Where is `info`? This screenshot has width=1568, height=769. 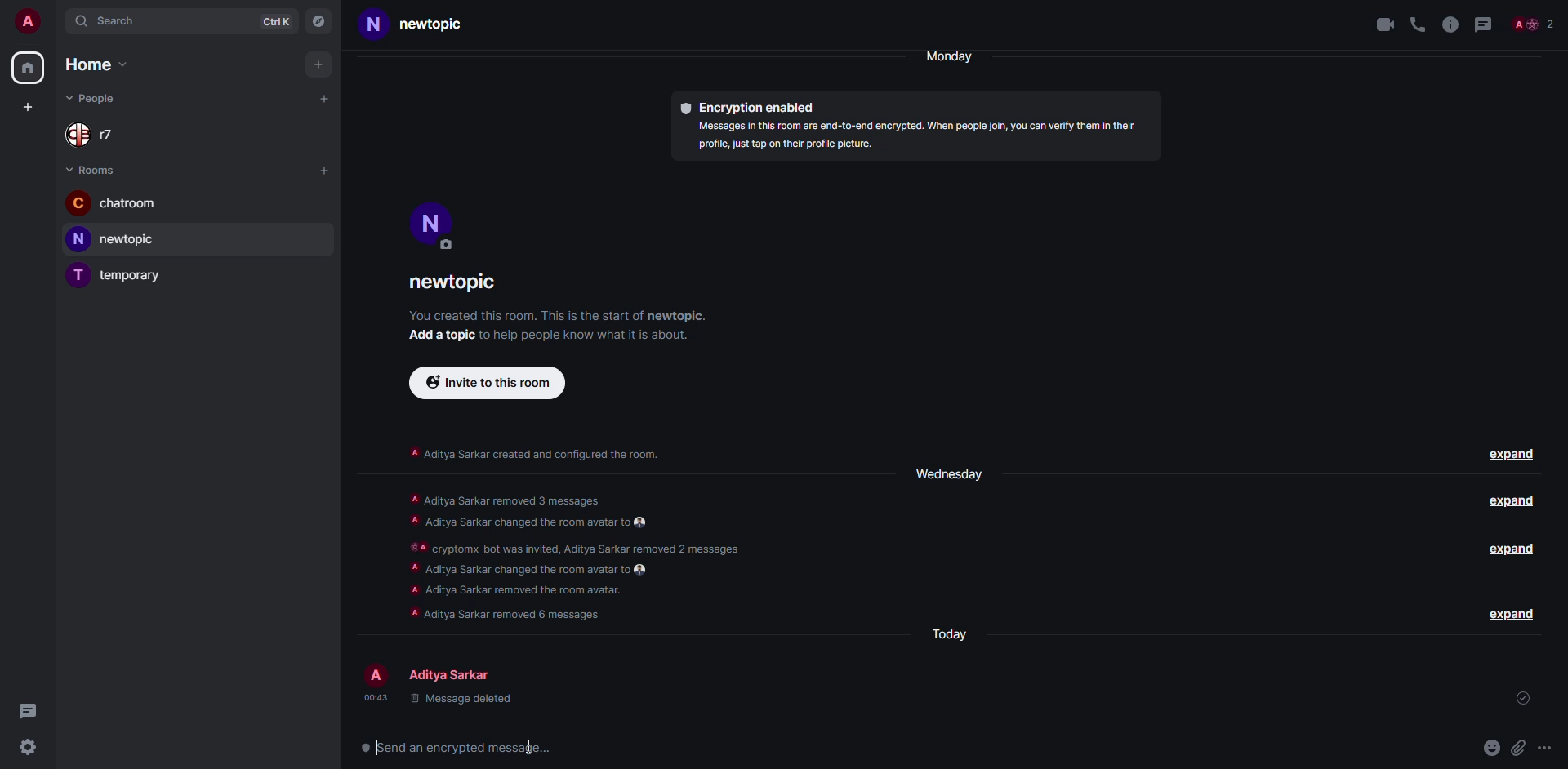 info is located at coordinates (534, 451).